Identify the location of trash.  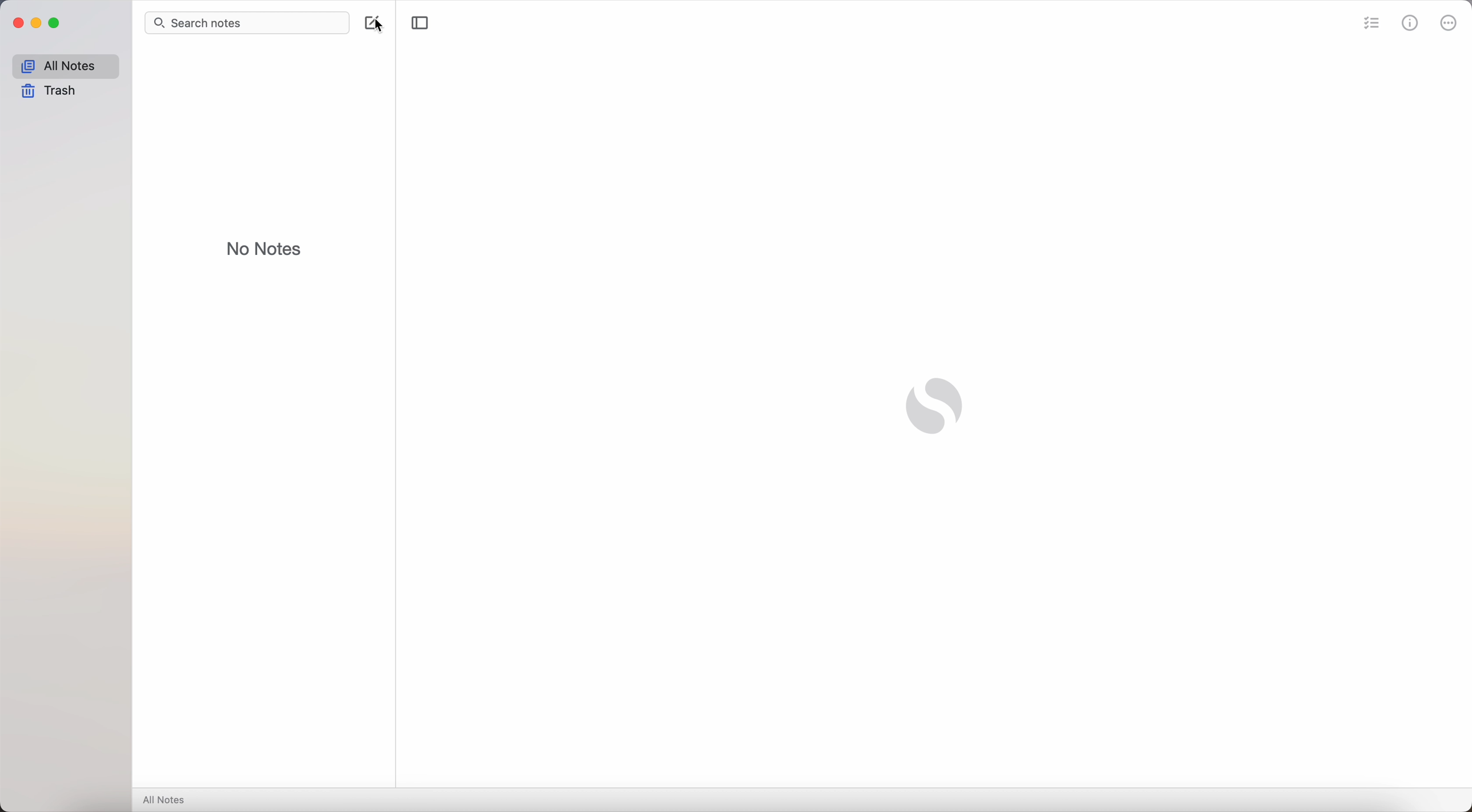
(50, 92).